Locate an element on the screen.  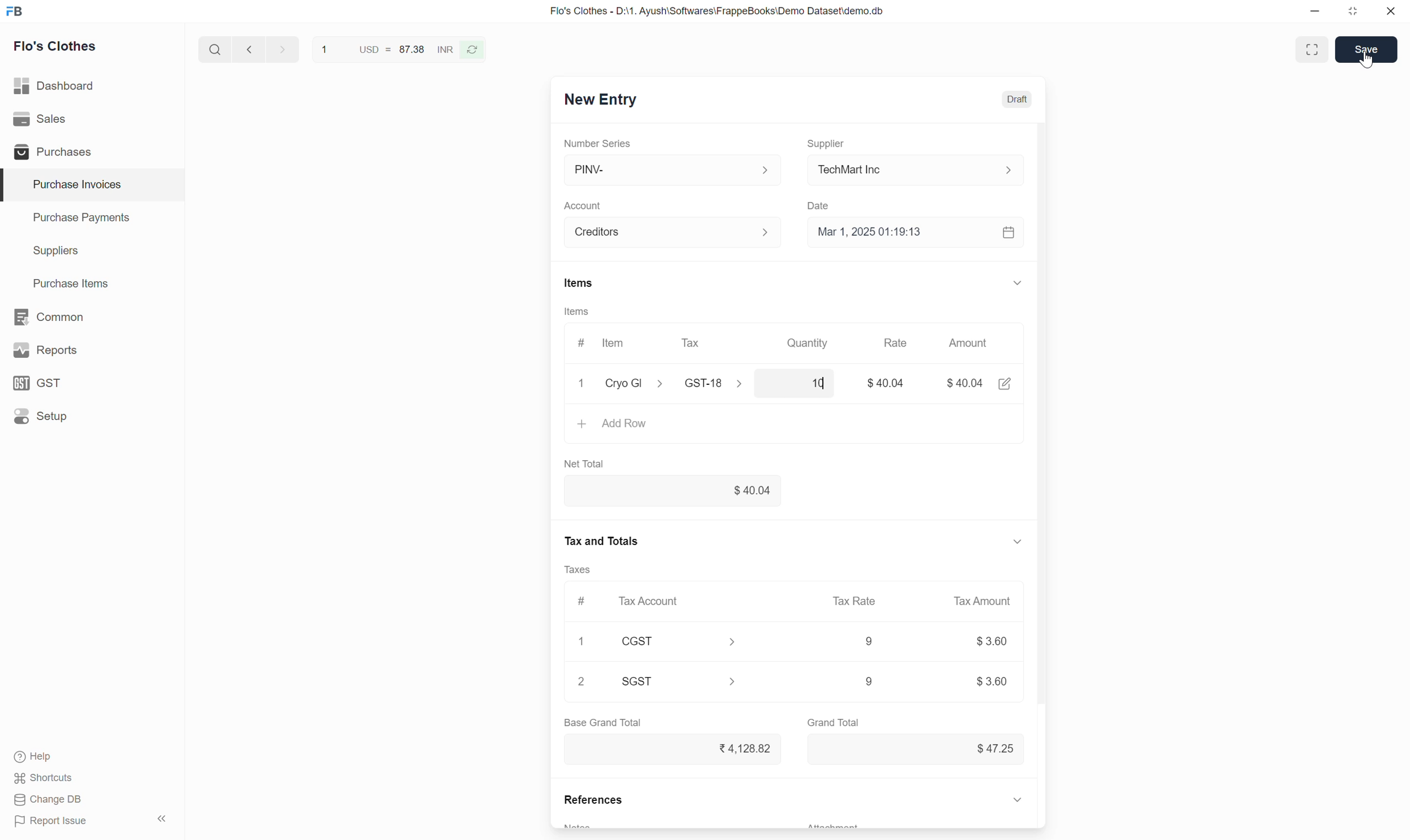
PINV- is located at coordinates (670, 170).